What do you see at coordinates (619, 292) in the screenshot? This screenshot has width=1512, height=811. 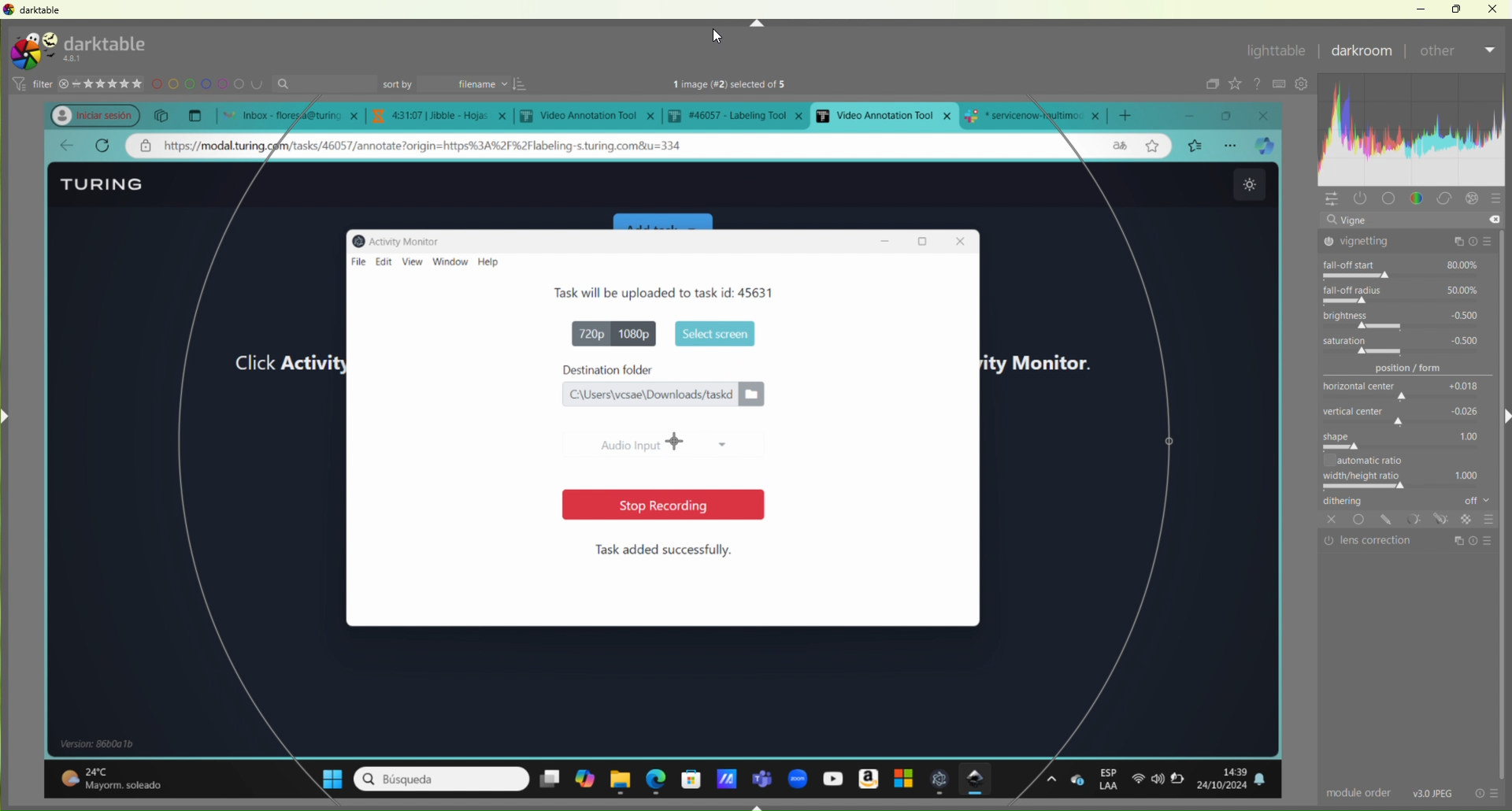 I see `Task details` at bounding box center [619, 292].